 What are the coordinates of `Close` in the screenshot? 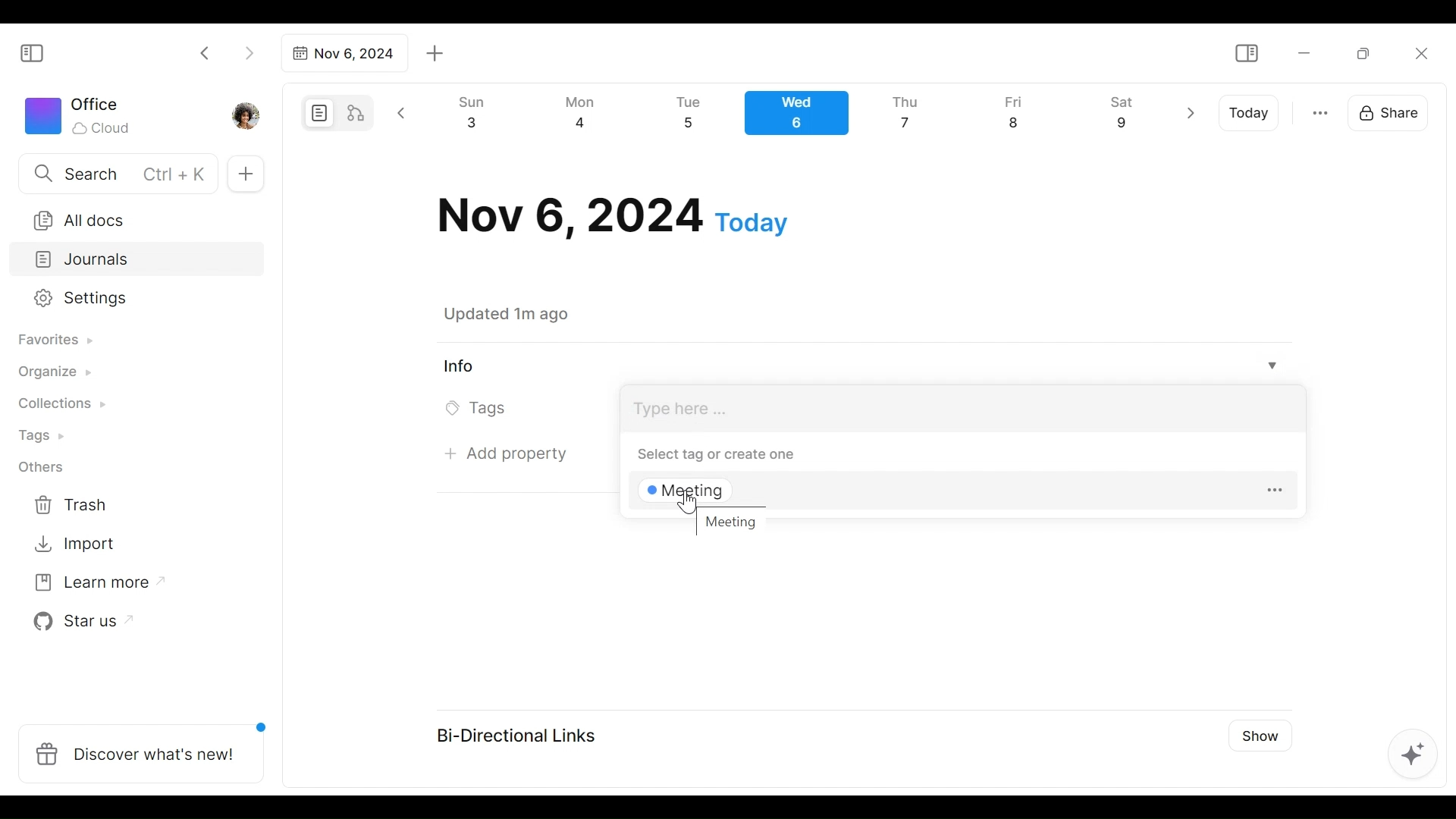 It's located at (1420, 53).